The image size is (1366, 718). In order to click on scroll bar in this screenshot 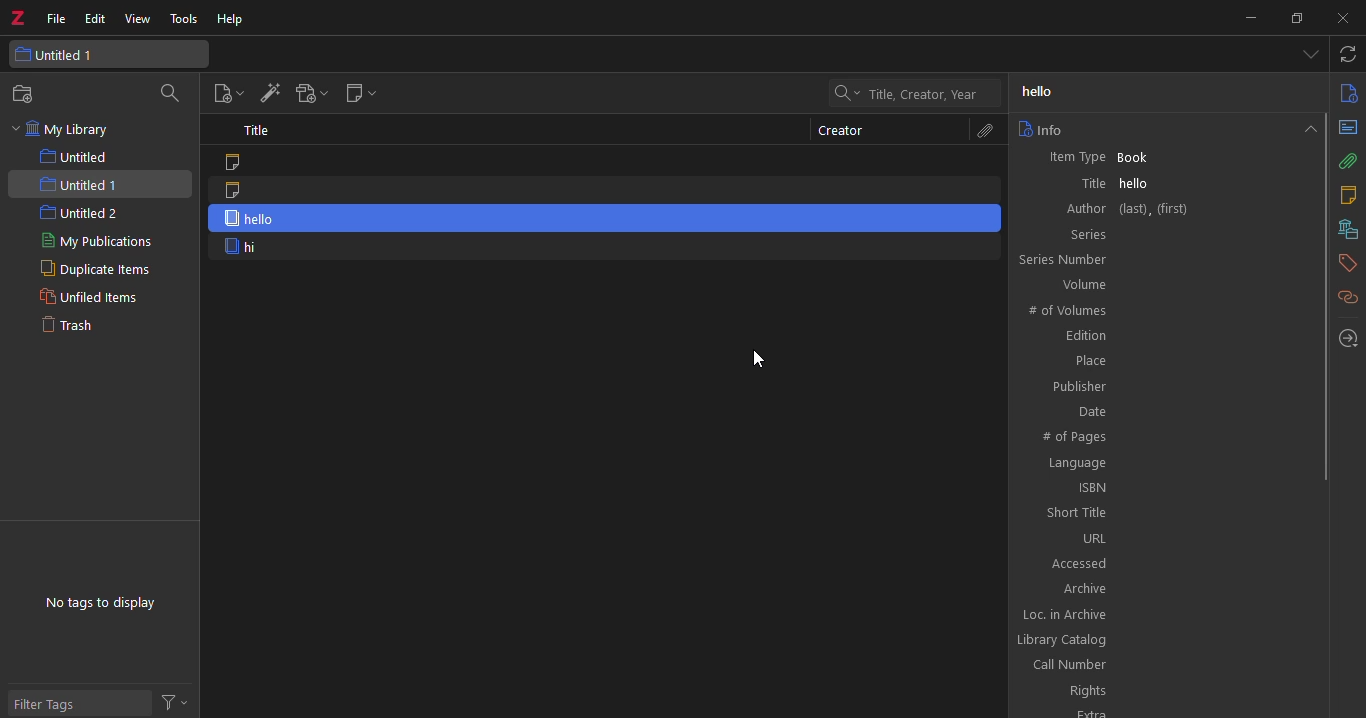, I will do `click(1327, 295)`.